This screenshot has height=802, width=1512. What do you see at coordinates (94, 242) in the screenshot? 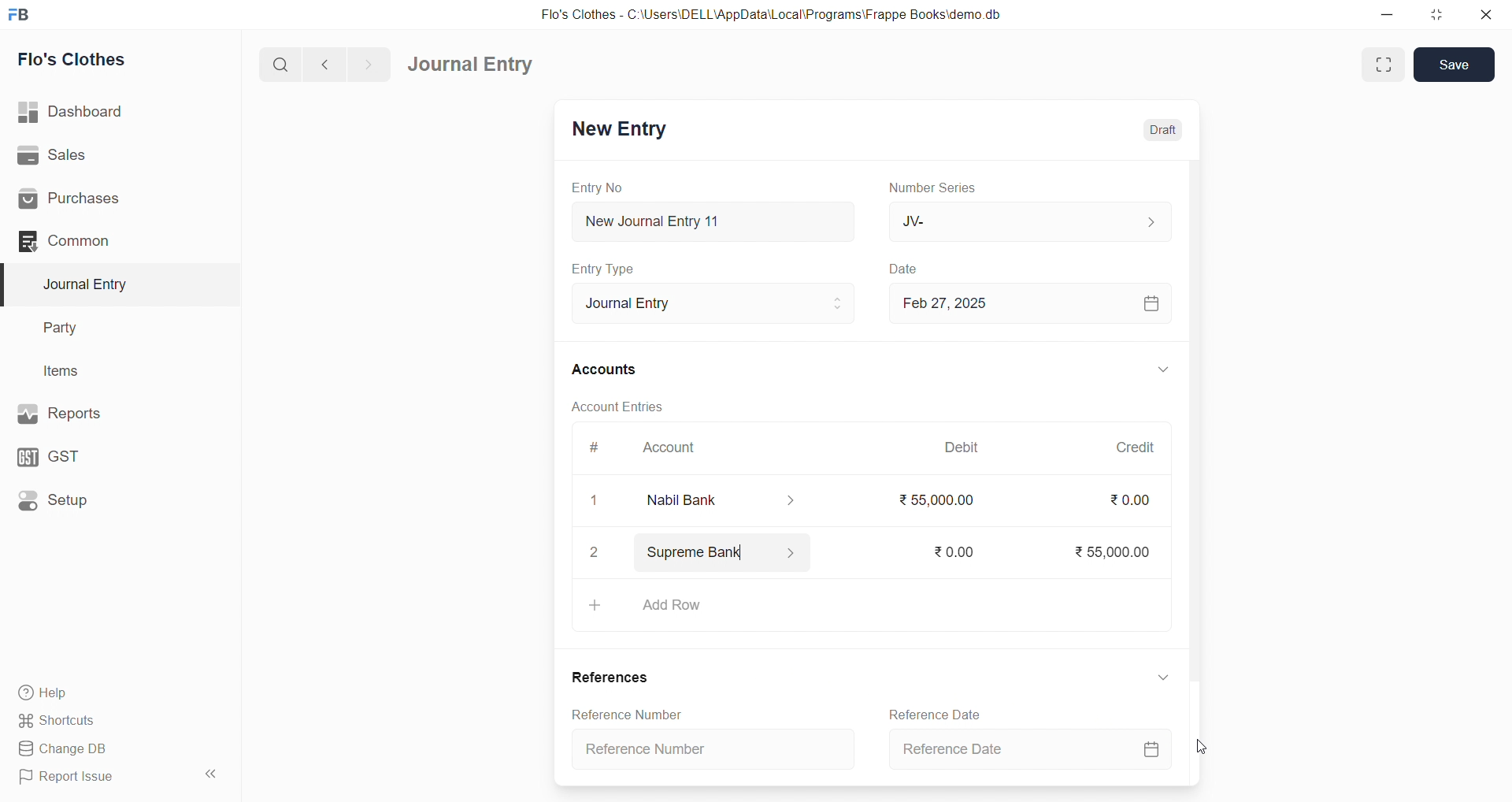
I see `Common` at bounding box center [94, 242].